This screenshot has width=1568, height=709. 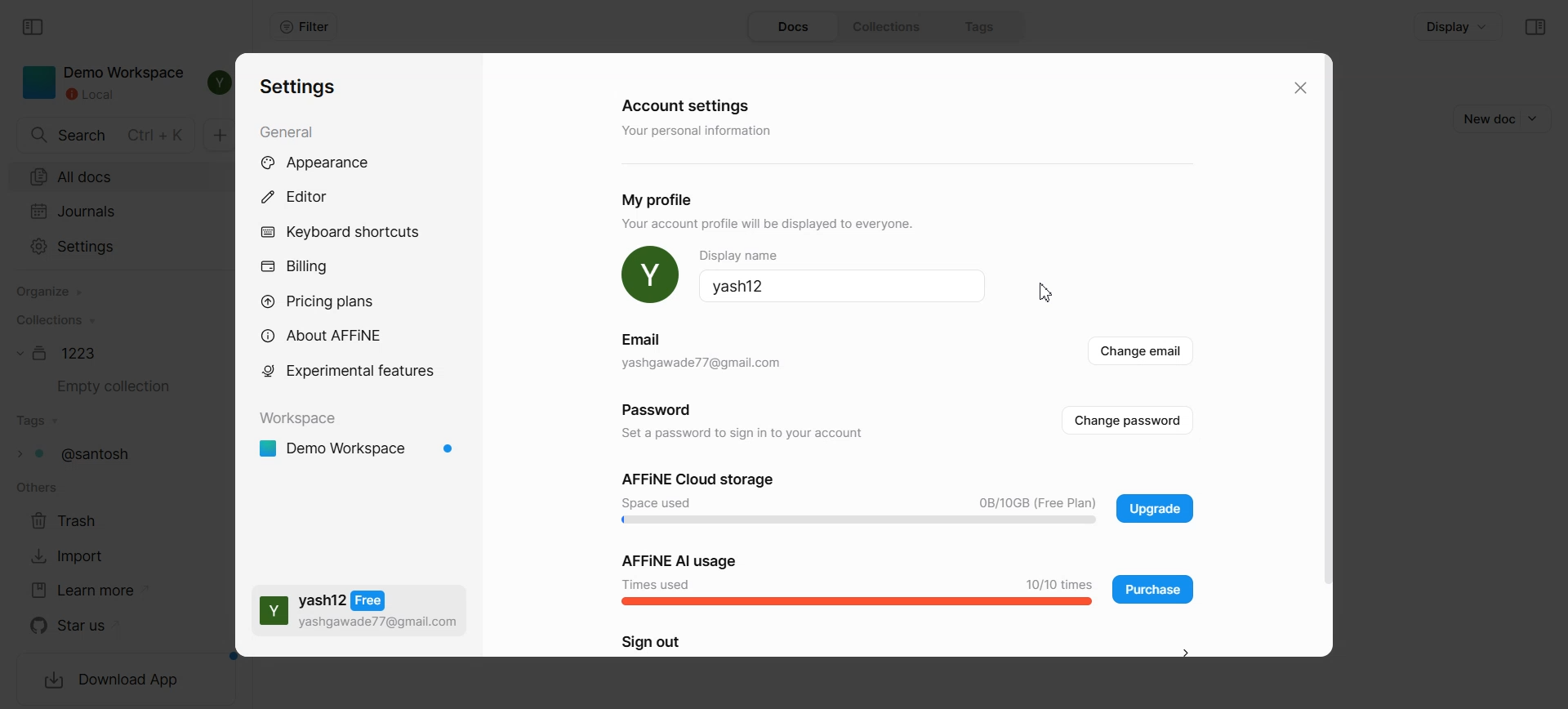 I want to click on Account settings, so click(x=688, y=104).